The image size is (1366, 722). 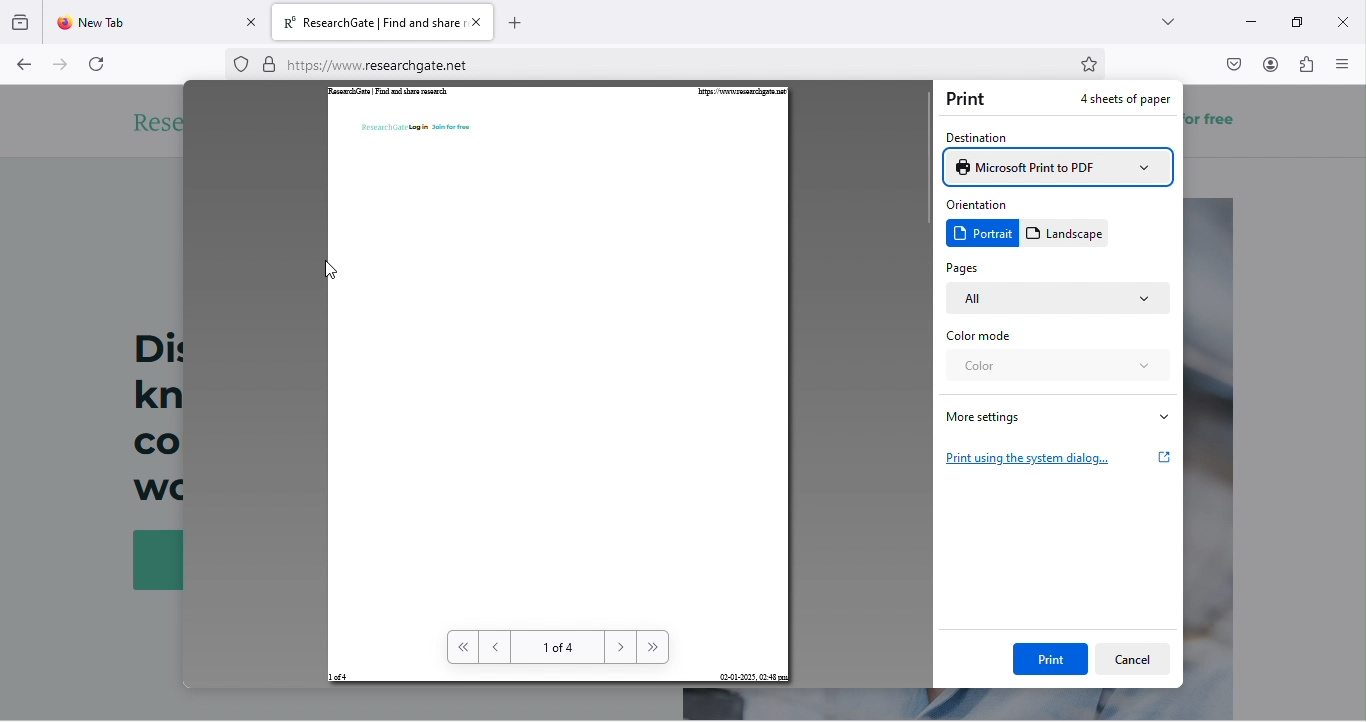 I want to click on destination, so click(x=987, y=135).